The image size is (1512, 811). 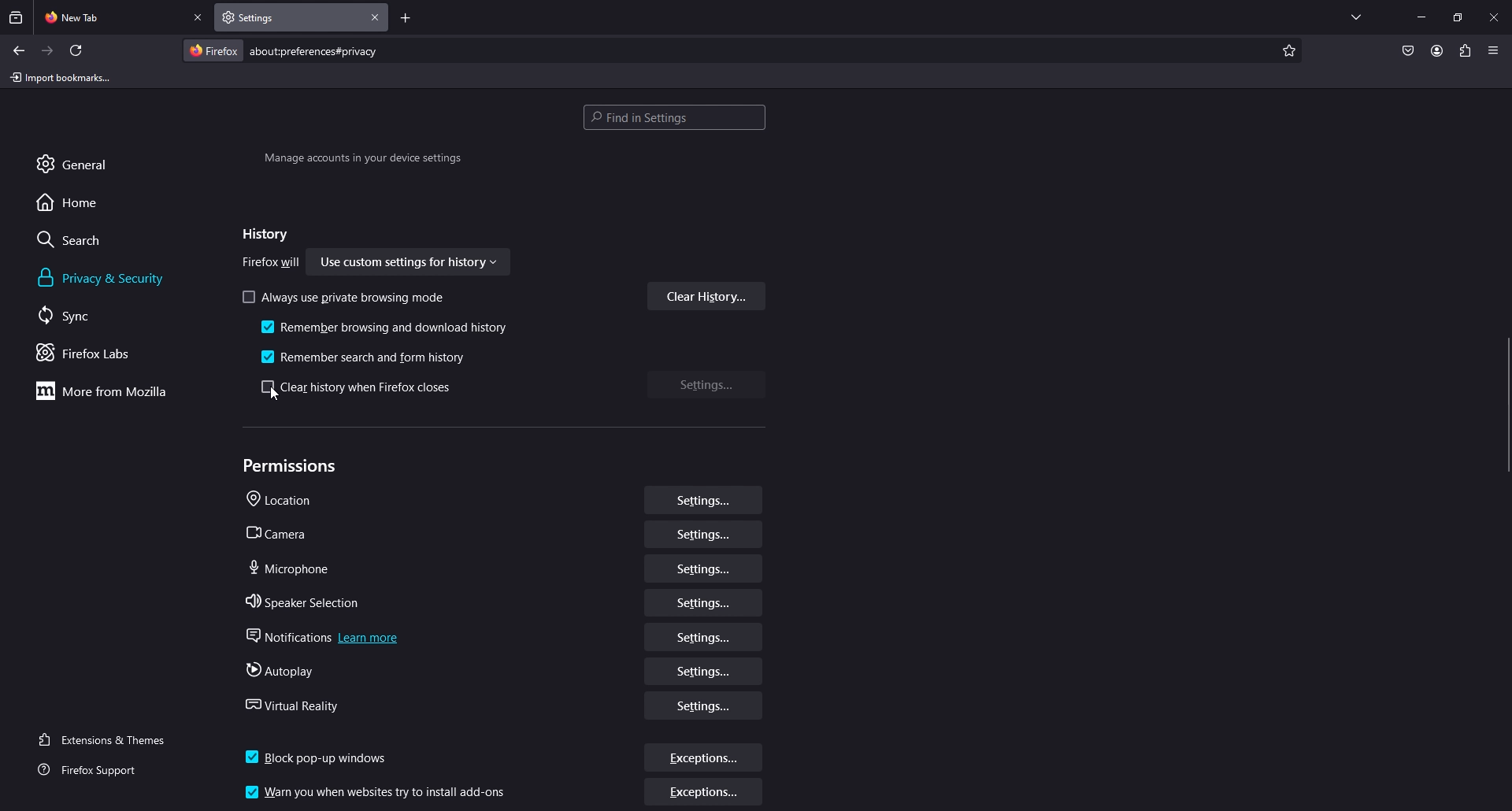 What do you see at coordinates (307, 598) in the screenshot?
I see `speaker` at bounding box center [307, 598].